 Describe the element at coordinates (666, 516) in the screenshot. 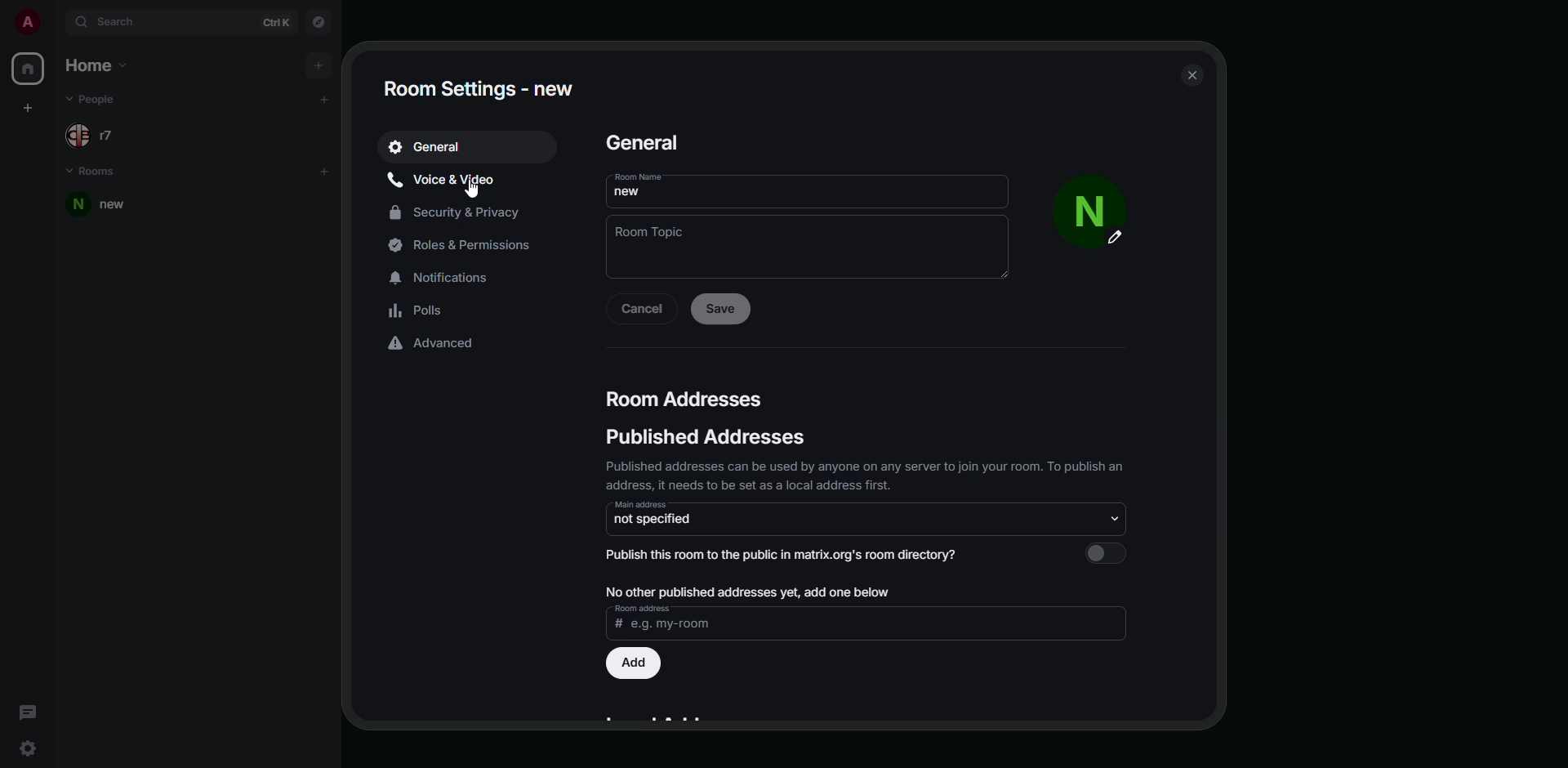

I see `main addresses` at that location.